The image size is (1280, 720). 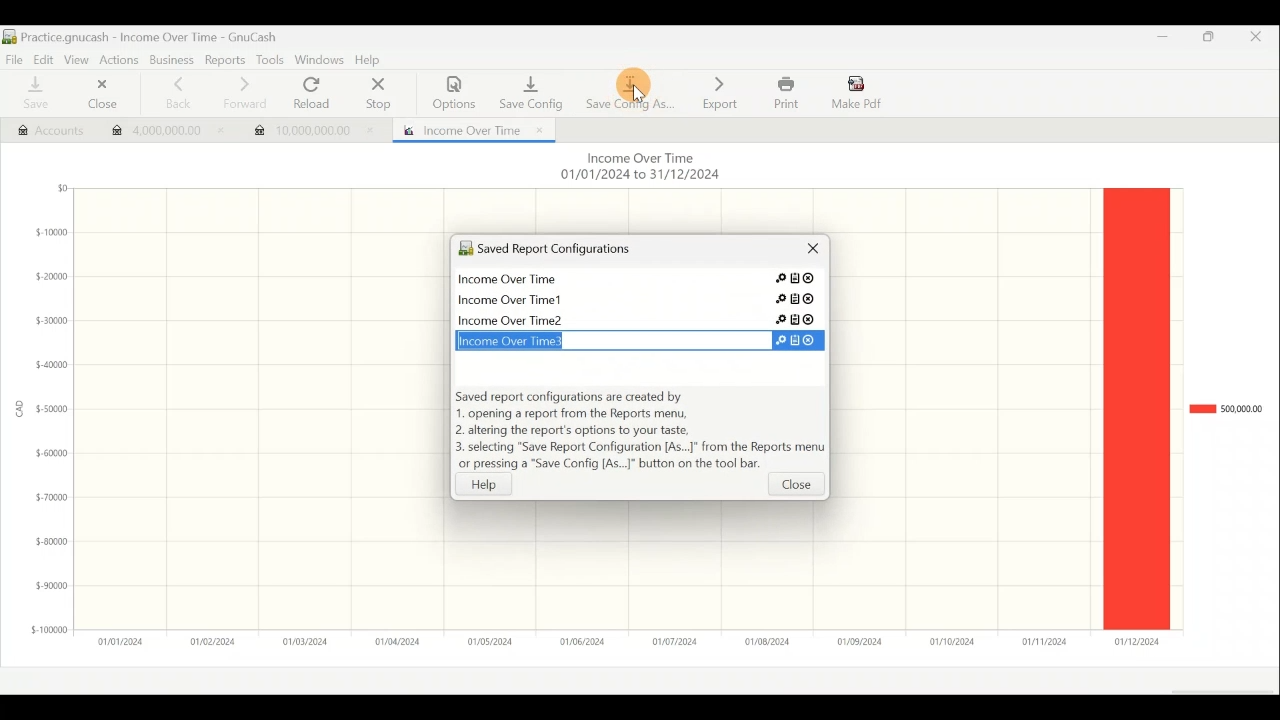 I want to click on Close, so click(x=1263, y=40).